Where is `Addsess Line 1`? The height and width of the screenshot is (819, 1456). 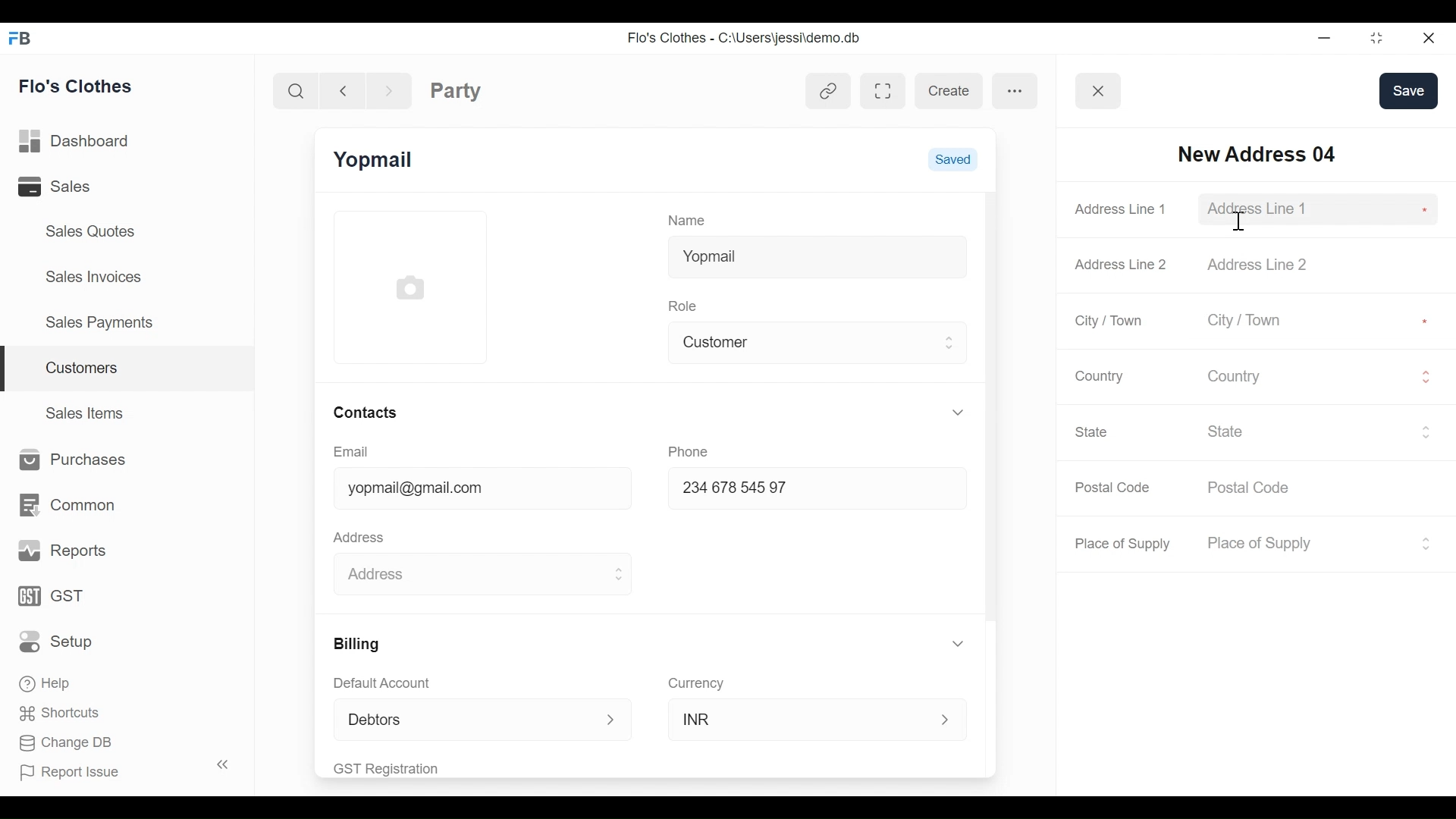 Addsess Line 1 is located at coordinates (1306, 209).